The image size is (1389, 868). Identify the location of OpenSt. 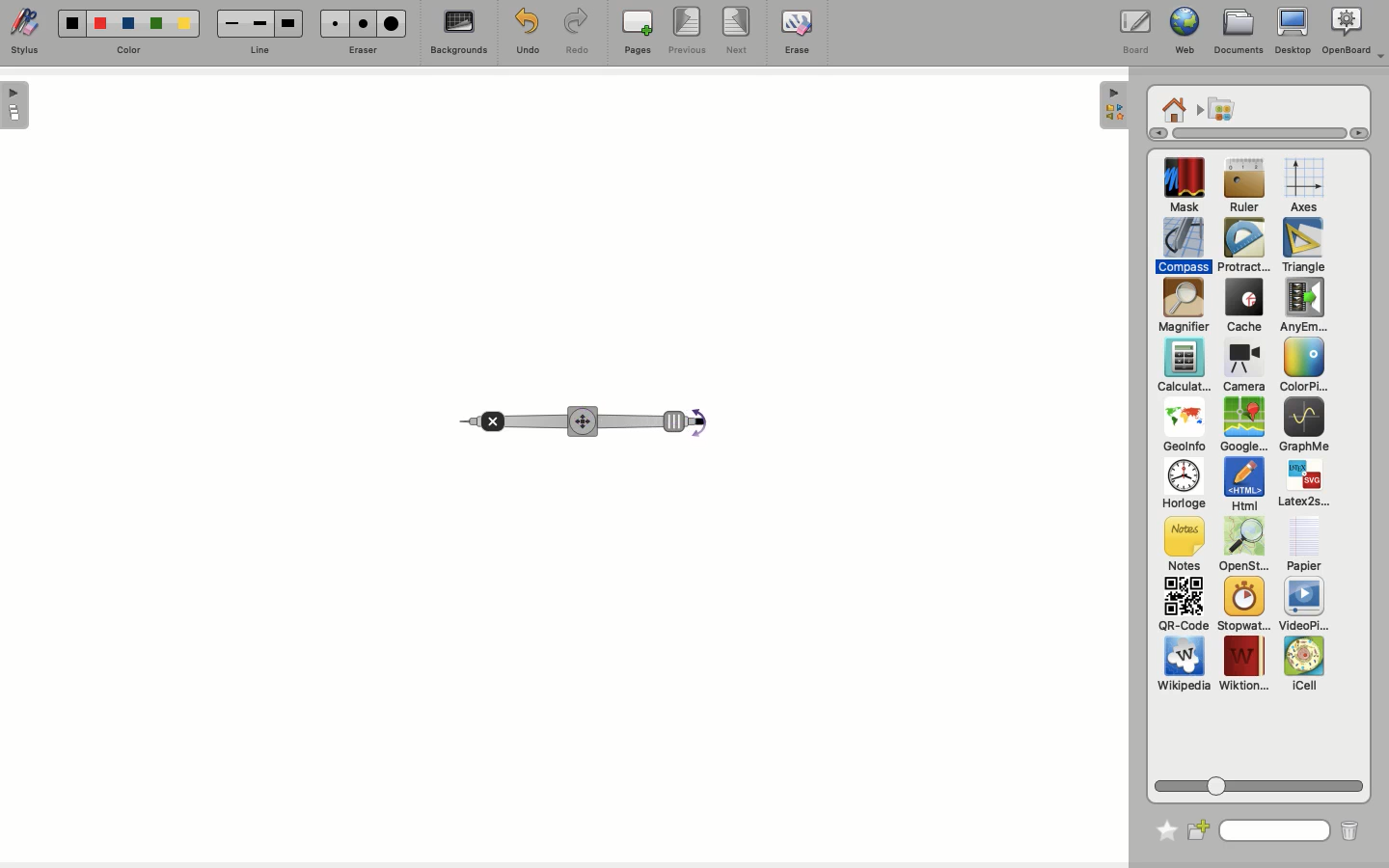
(1239, 547).